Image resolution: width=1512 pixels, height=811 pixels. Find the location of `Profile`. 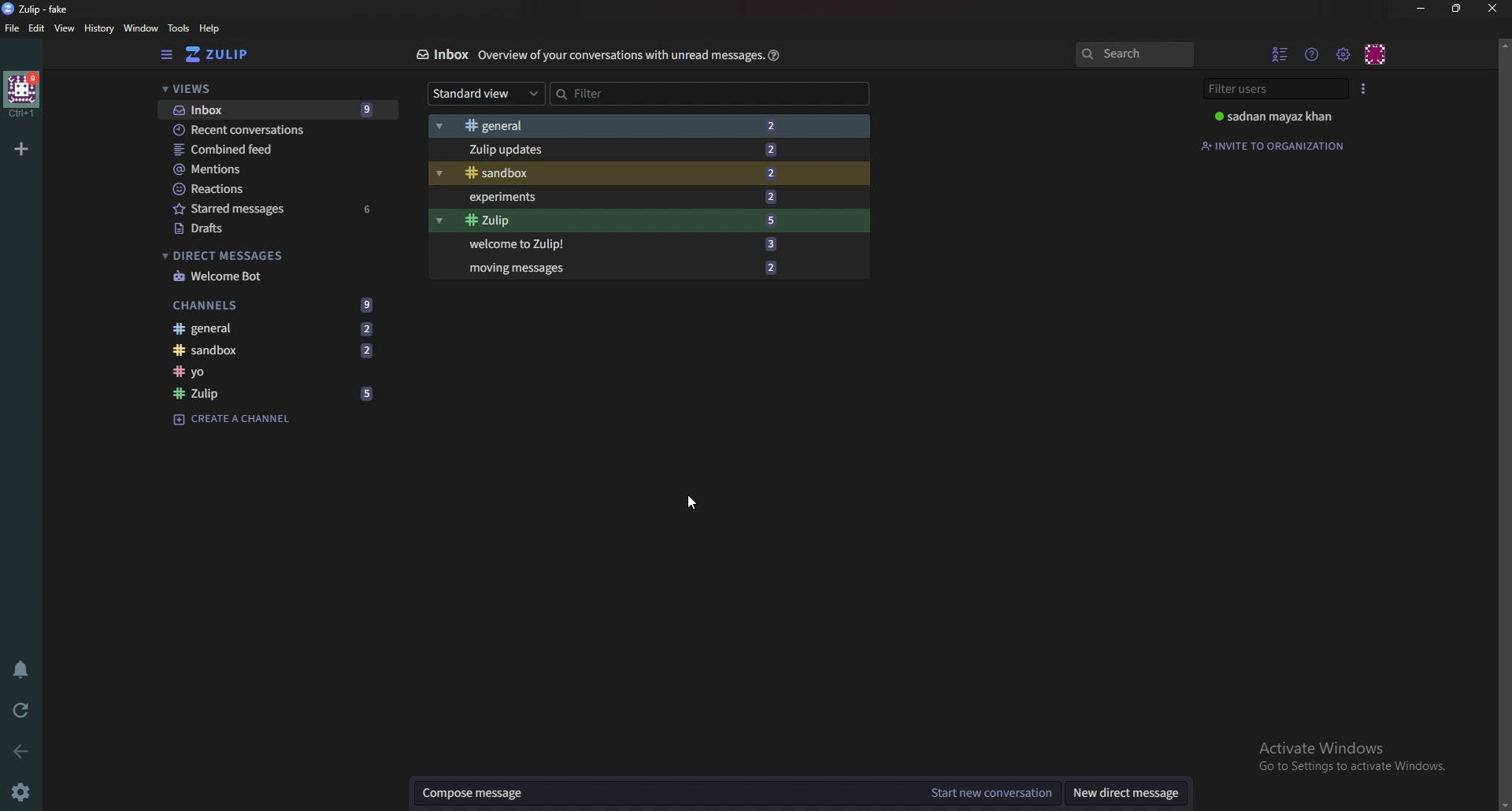

Profile is located at coordinates (1277, 117).